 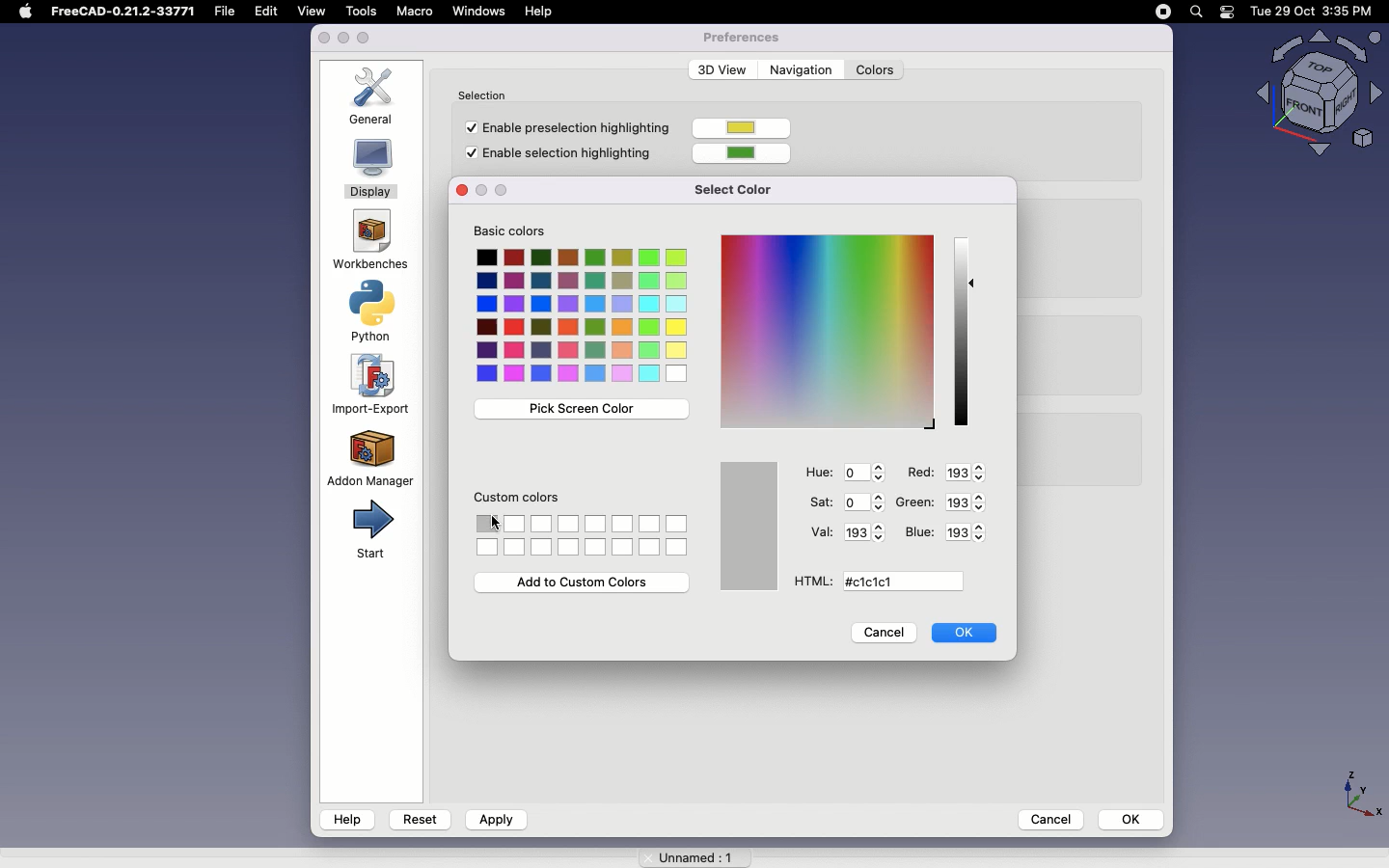 I want to click on Ok, so click(x=967, y=633).